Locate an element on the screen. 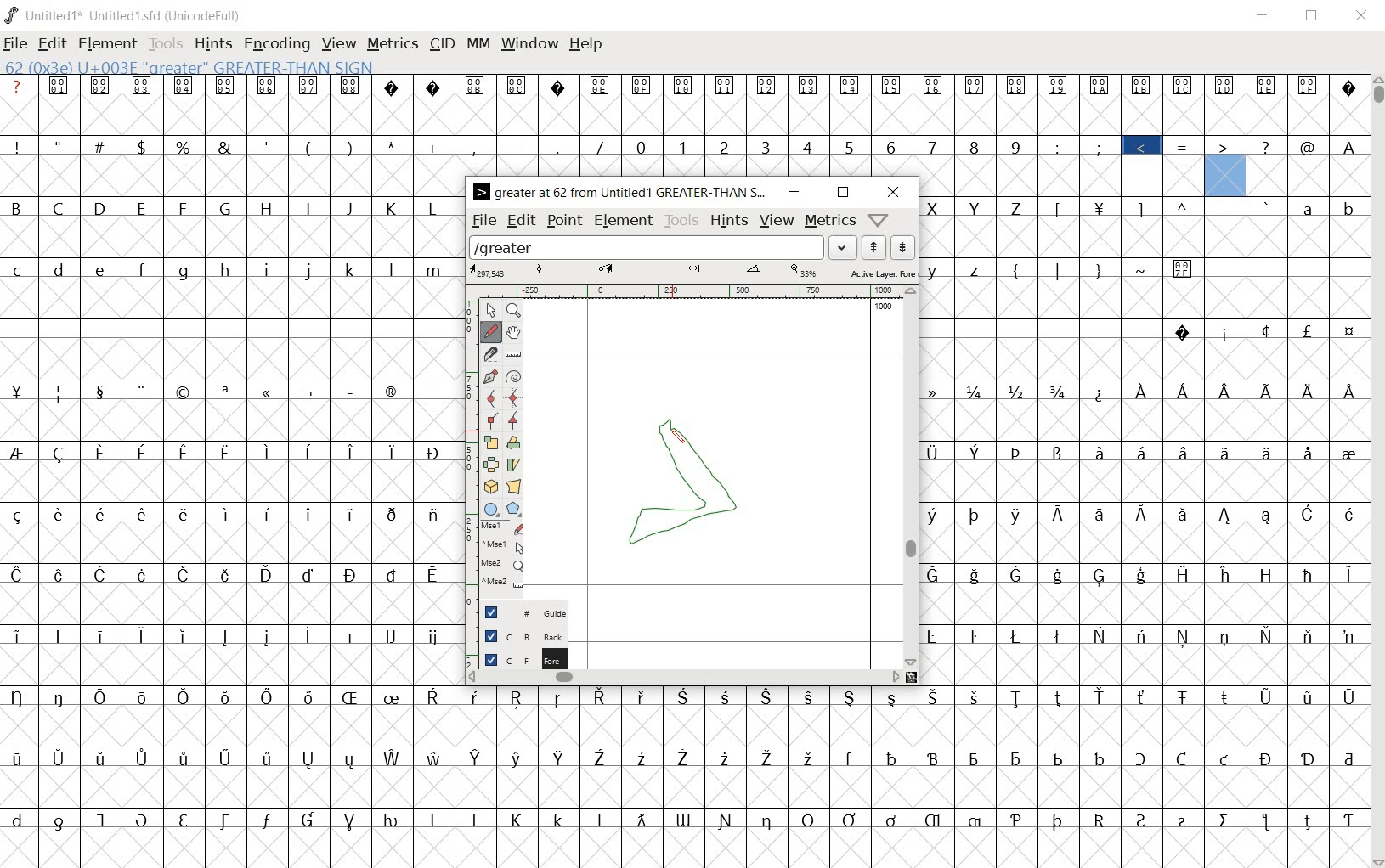  foreground is located at coordinates (517, 658).